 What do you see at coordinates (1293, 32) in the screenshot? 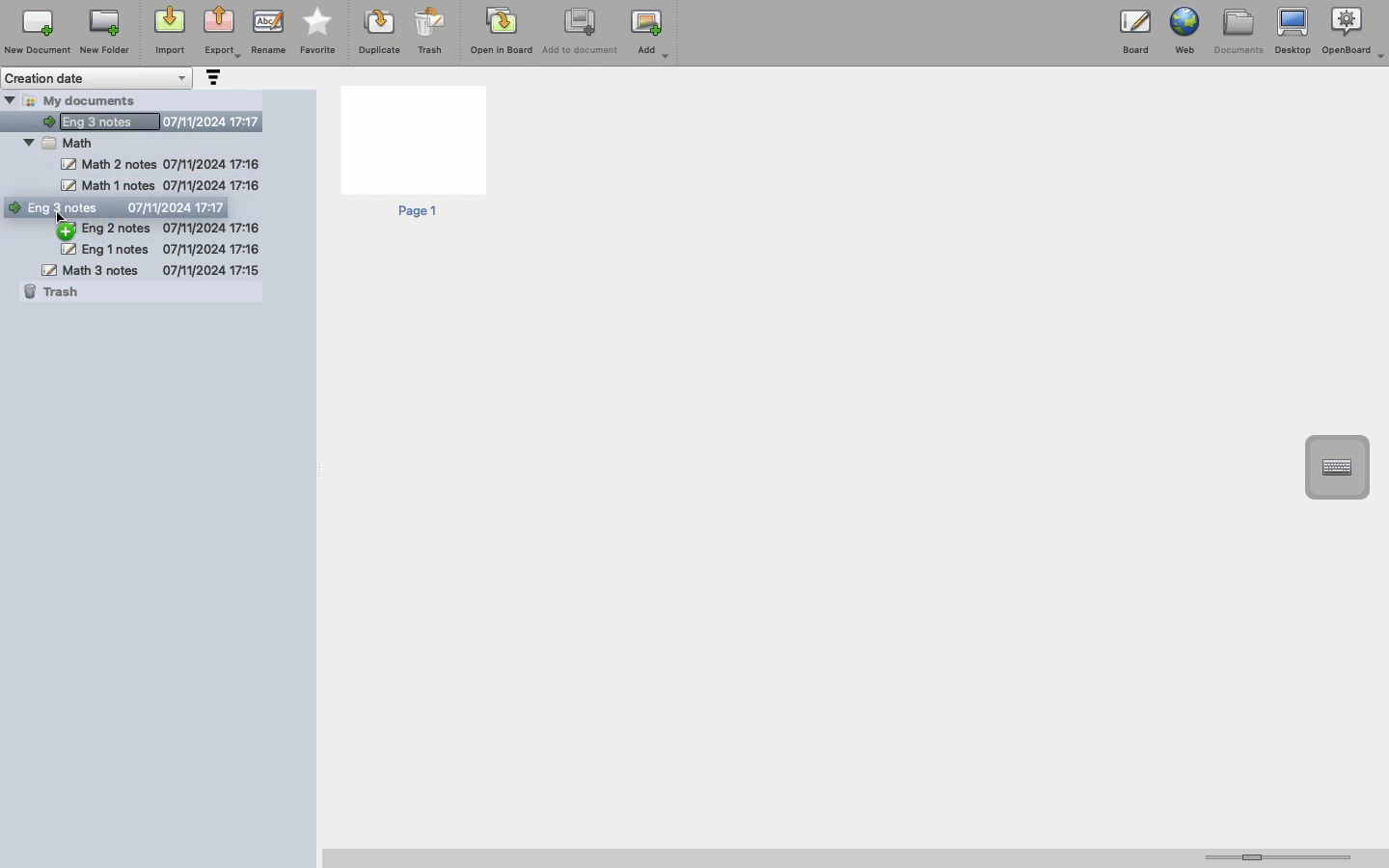
I see `Desktop` at bounding box center [1293, 32].